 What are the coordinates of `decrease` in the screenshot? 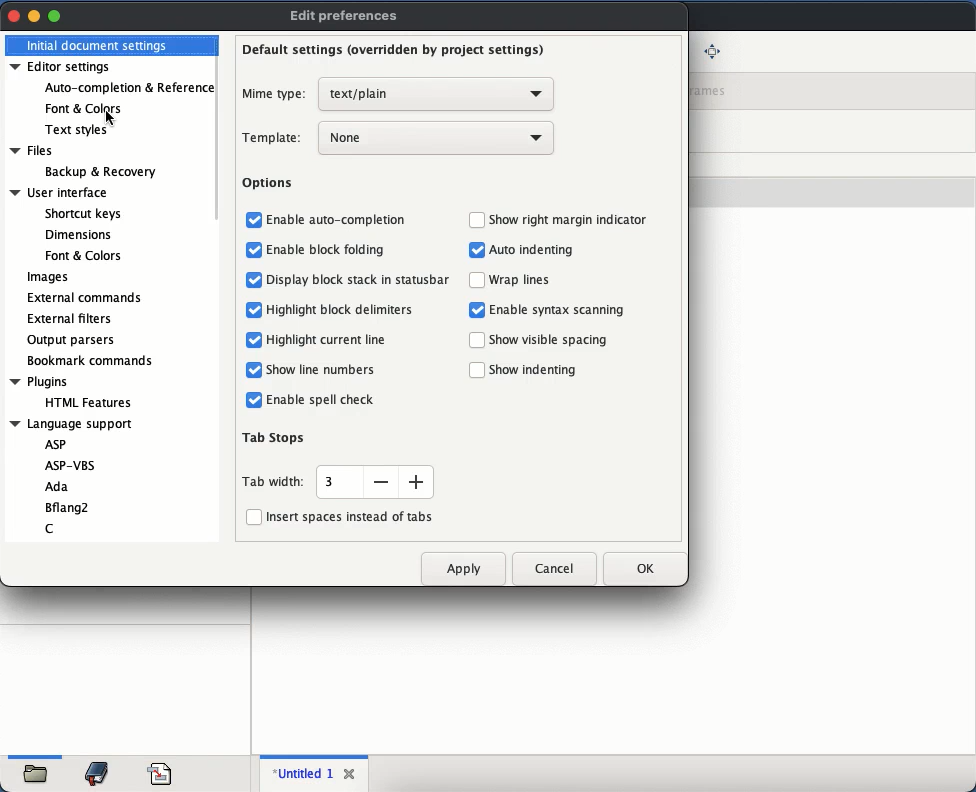 It's located at (381, 483).